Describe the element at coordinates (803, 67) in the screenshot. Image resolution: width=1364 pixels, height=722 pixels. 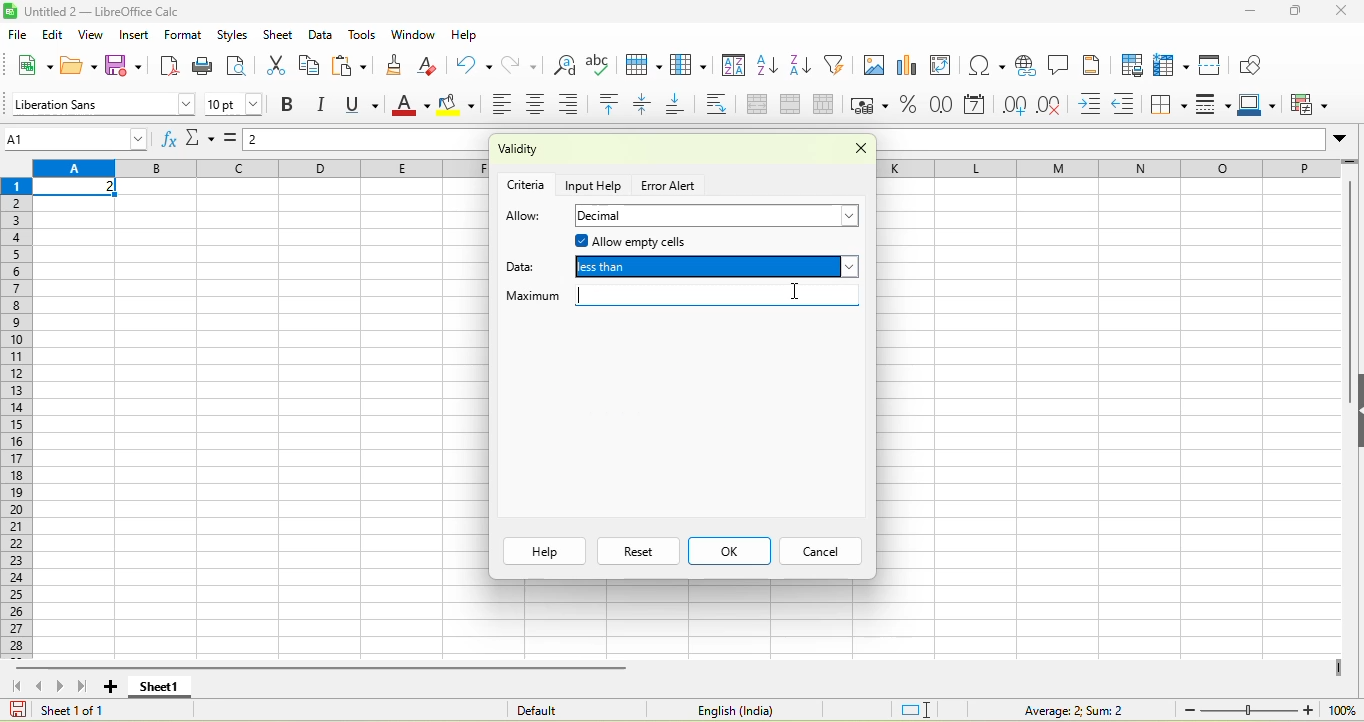
I see `sort descending` at that location.